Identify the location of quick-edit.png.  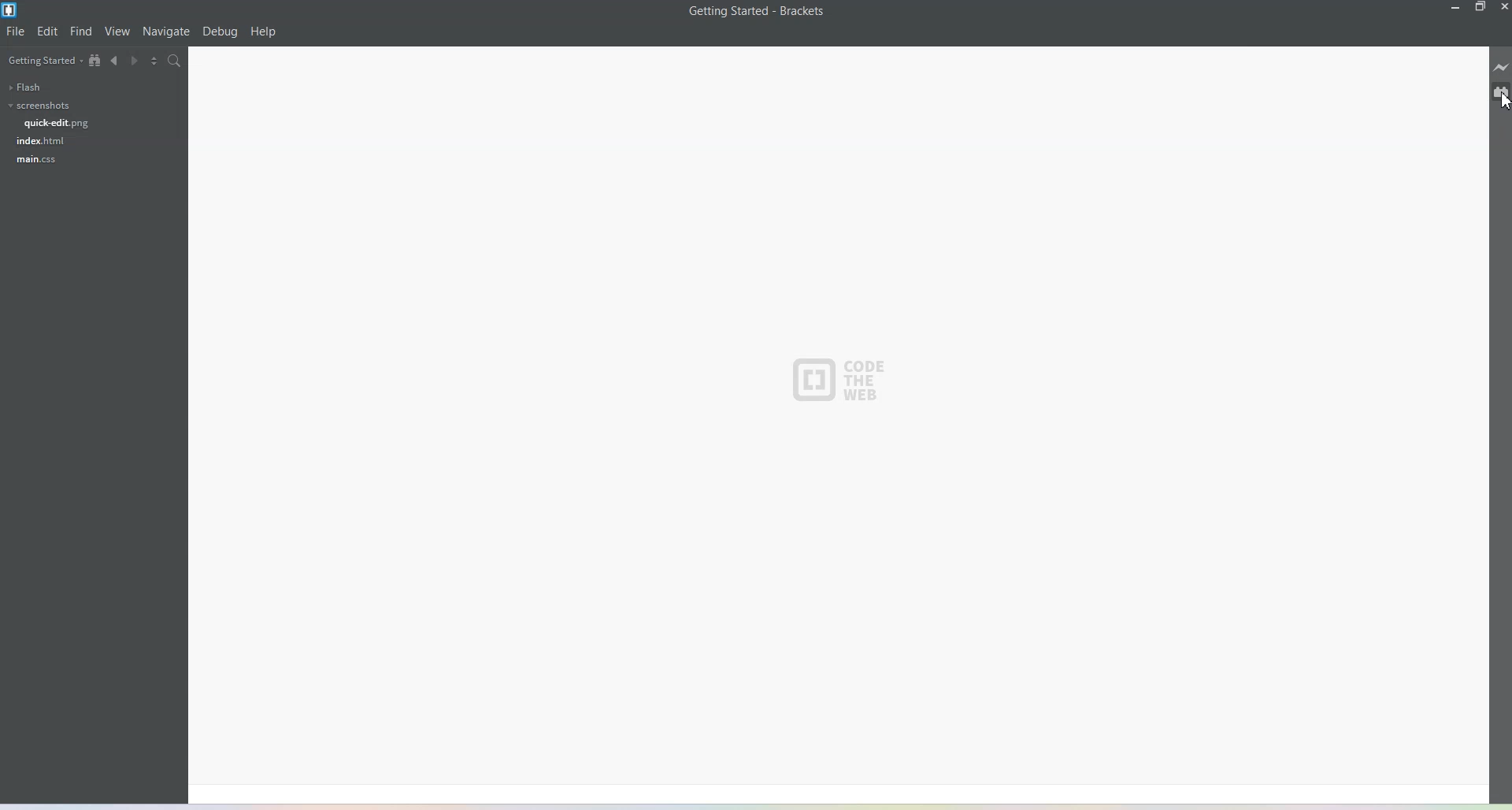
(57, 123).